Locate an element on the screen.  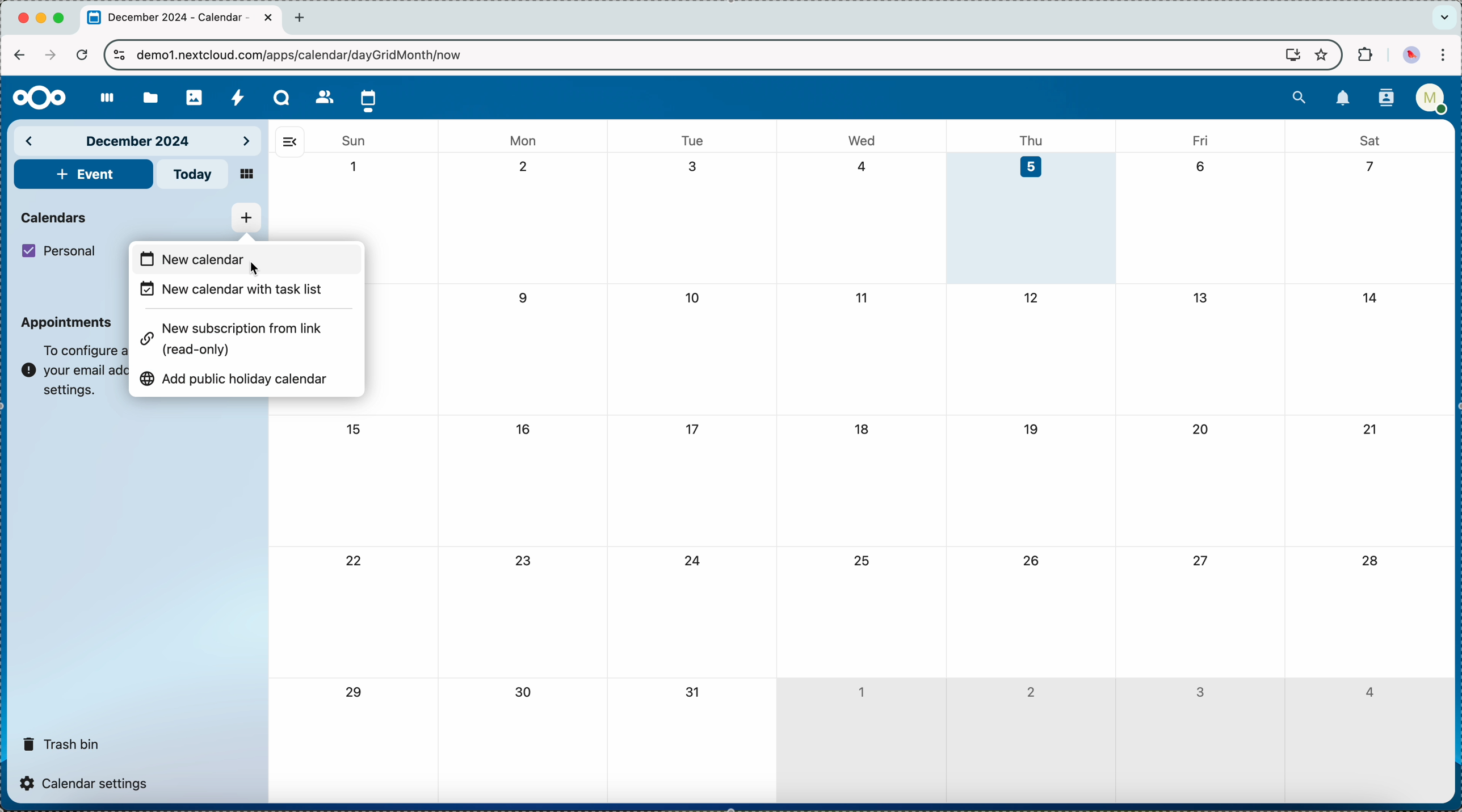
user profile is located at coordinates (1431, 102).